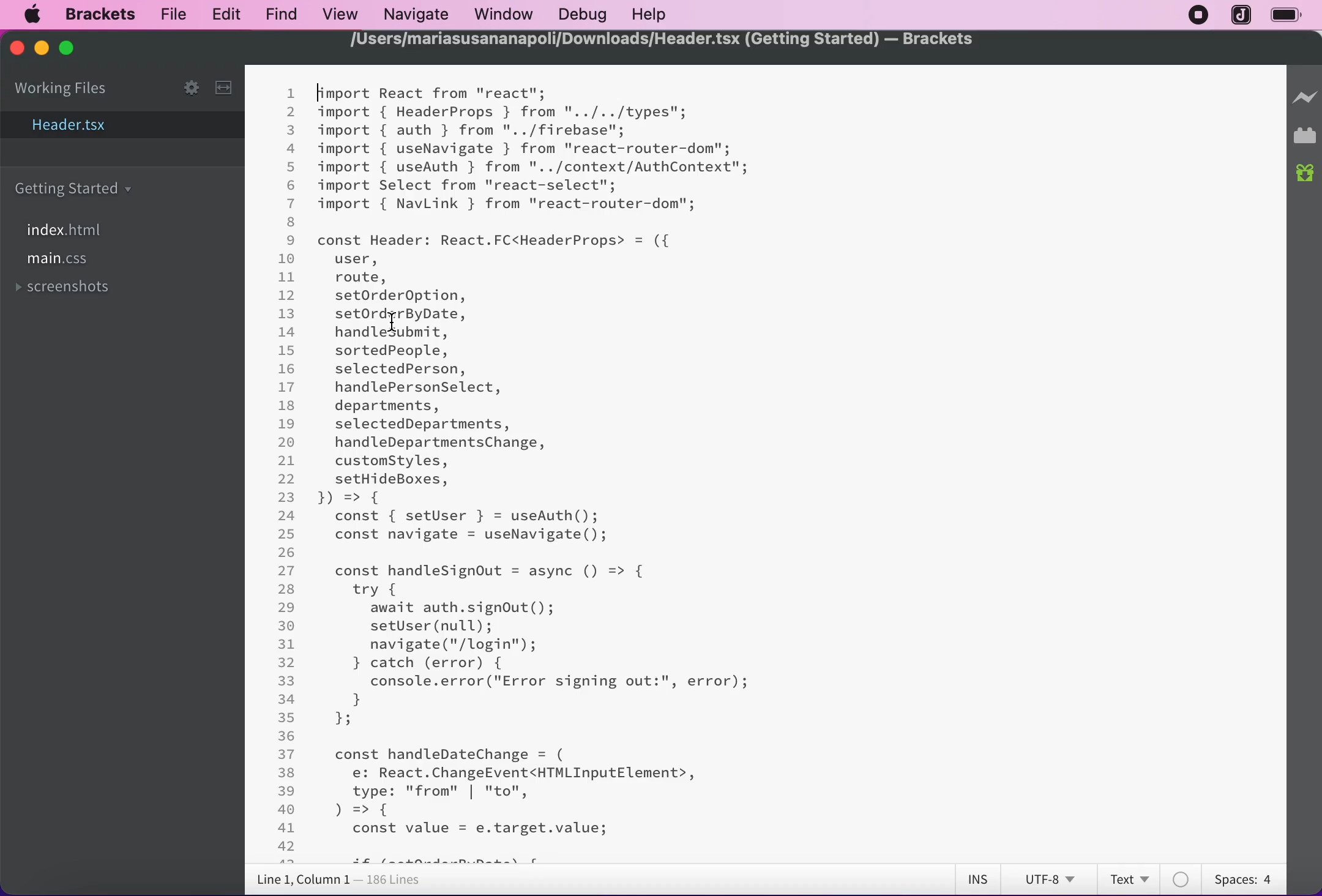 The image size is (1322, 896). What do you see at coordinates (417, 15) in the screenshot?
I see `navigate` at bounding box center [417, 15].